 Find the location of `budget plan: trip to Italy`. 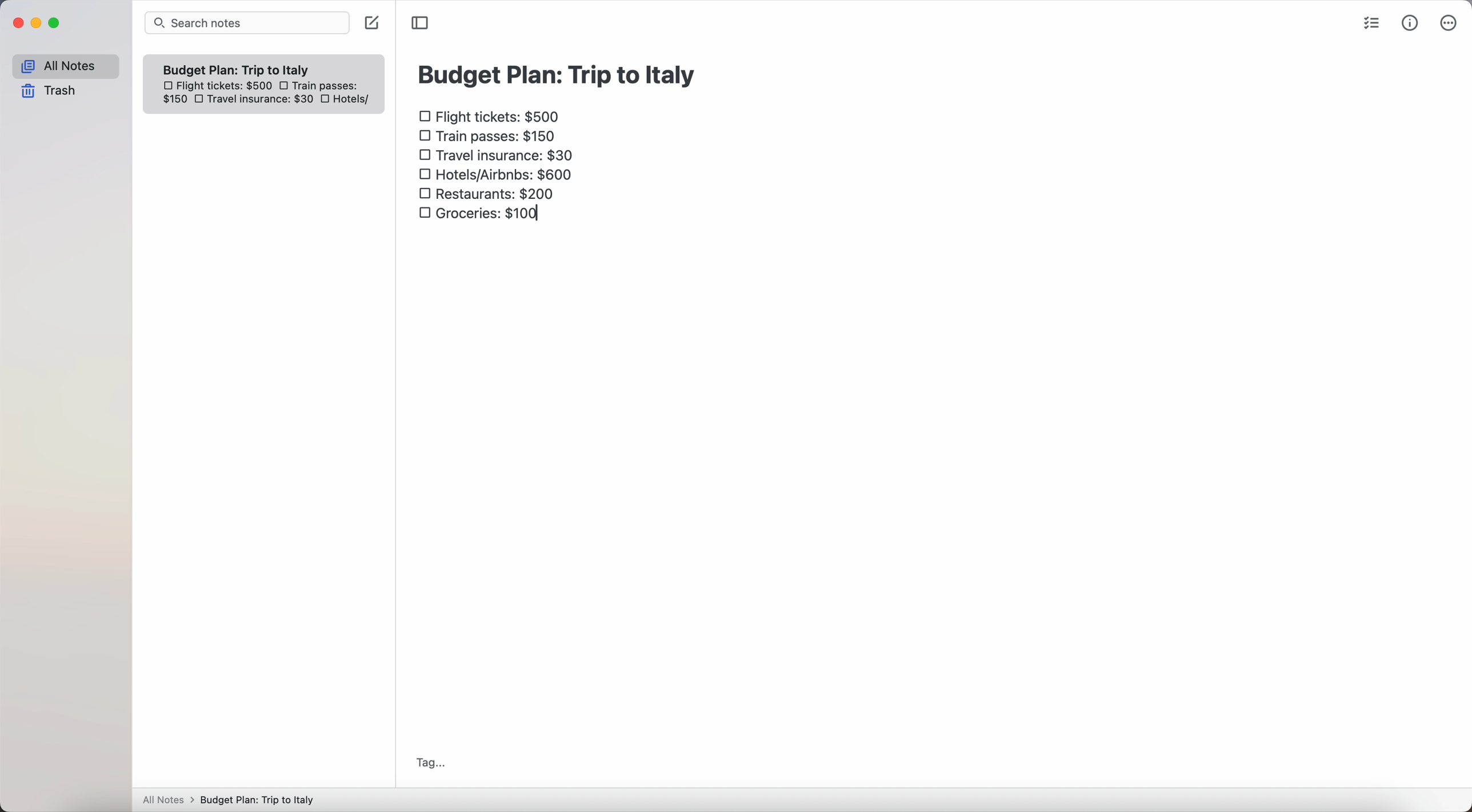

budget plan: trip to Italy is located at coordinates (559, 73).